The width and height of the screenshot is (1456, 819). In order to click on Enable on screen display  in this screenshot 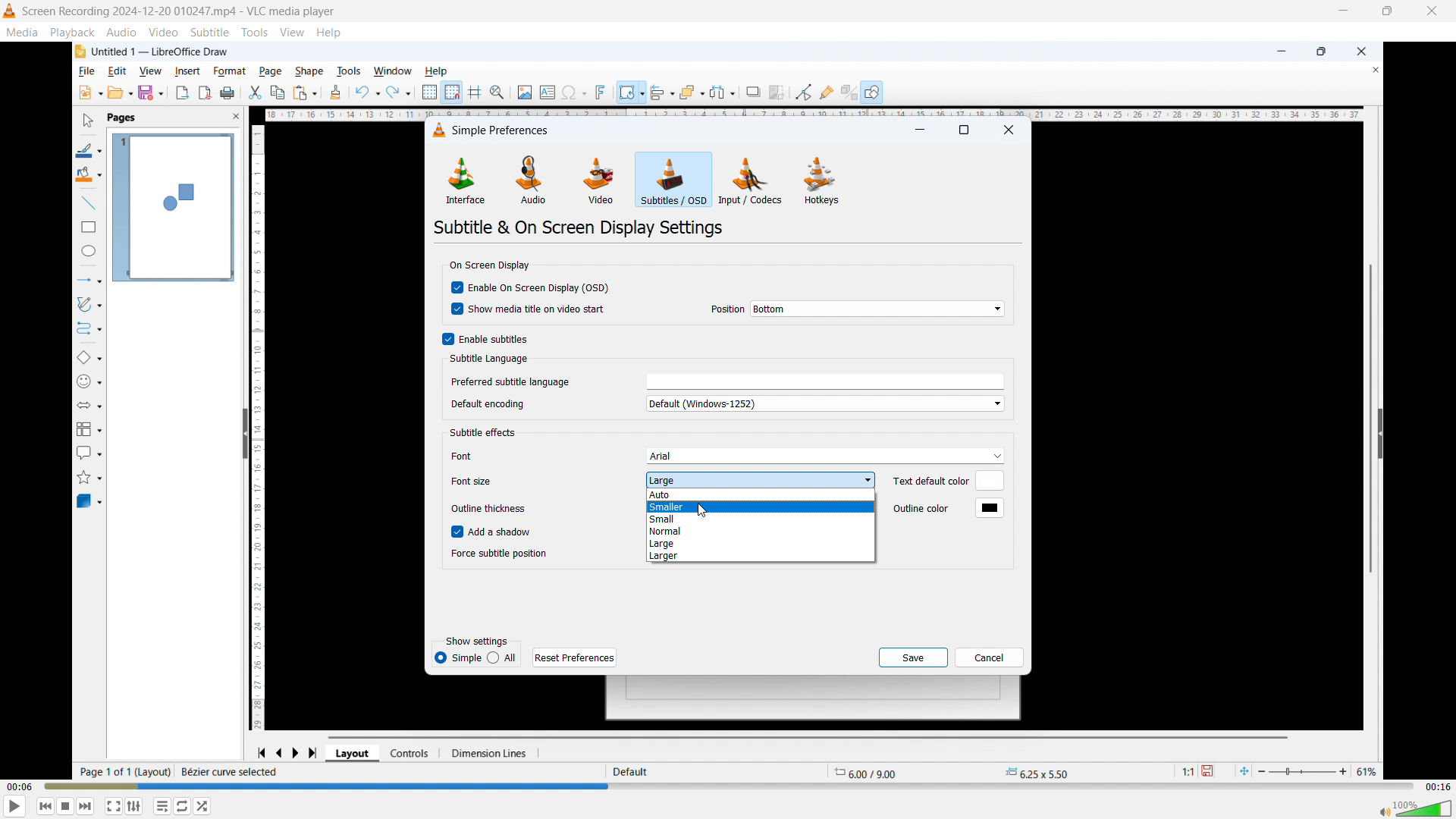, I will do `click(529, 287)`.